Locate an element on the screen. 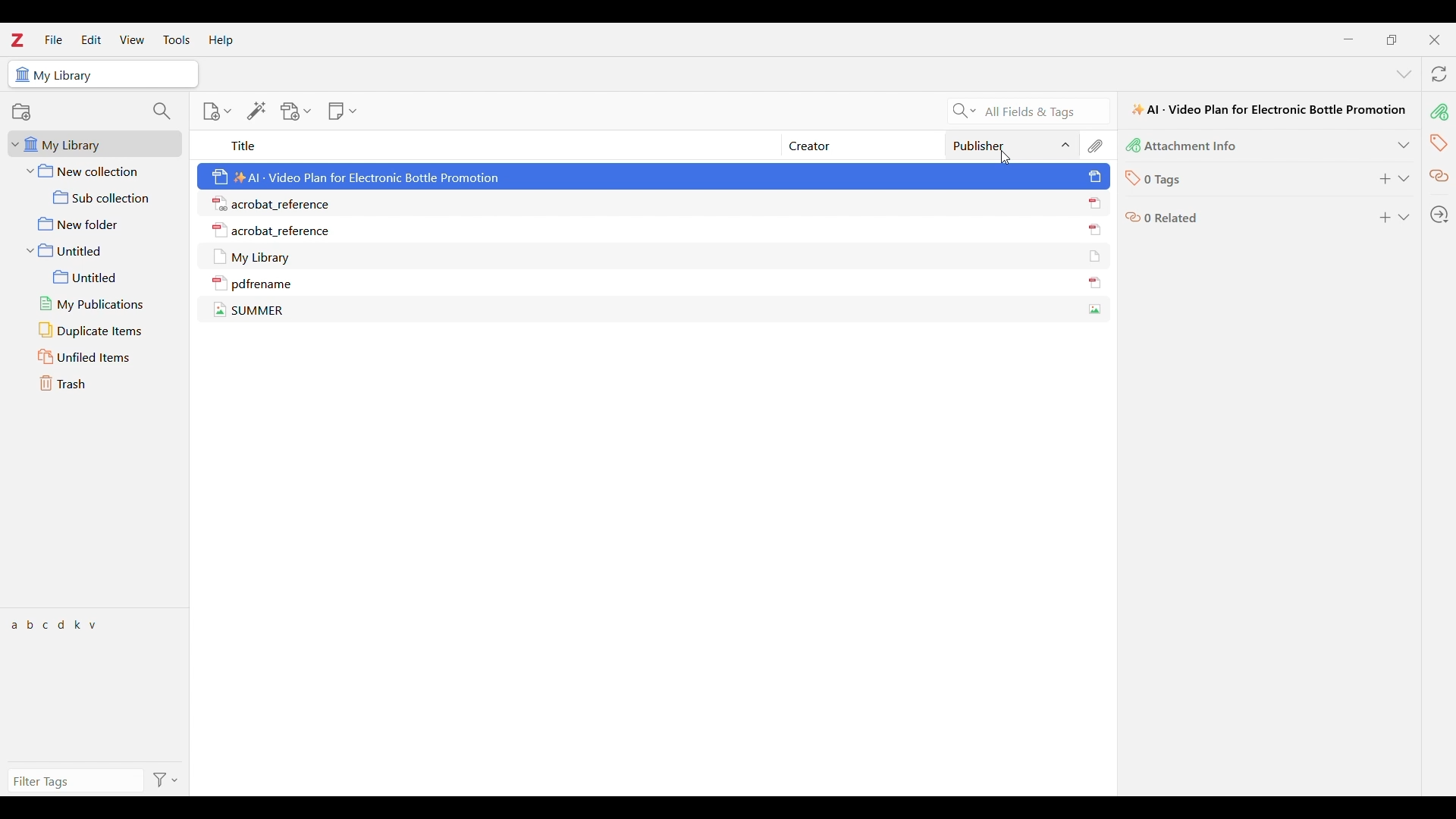  icon is located at coordinates (1131, 220).